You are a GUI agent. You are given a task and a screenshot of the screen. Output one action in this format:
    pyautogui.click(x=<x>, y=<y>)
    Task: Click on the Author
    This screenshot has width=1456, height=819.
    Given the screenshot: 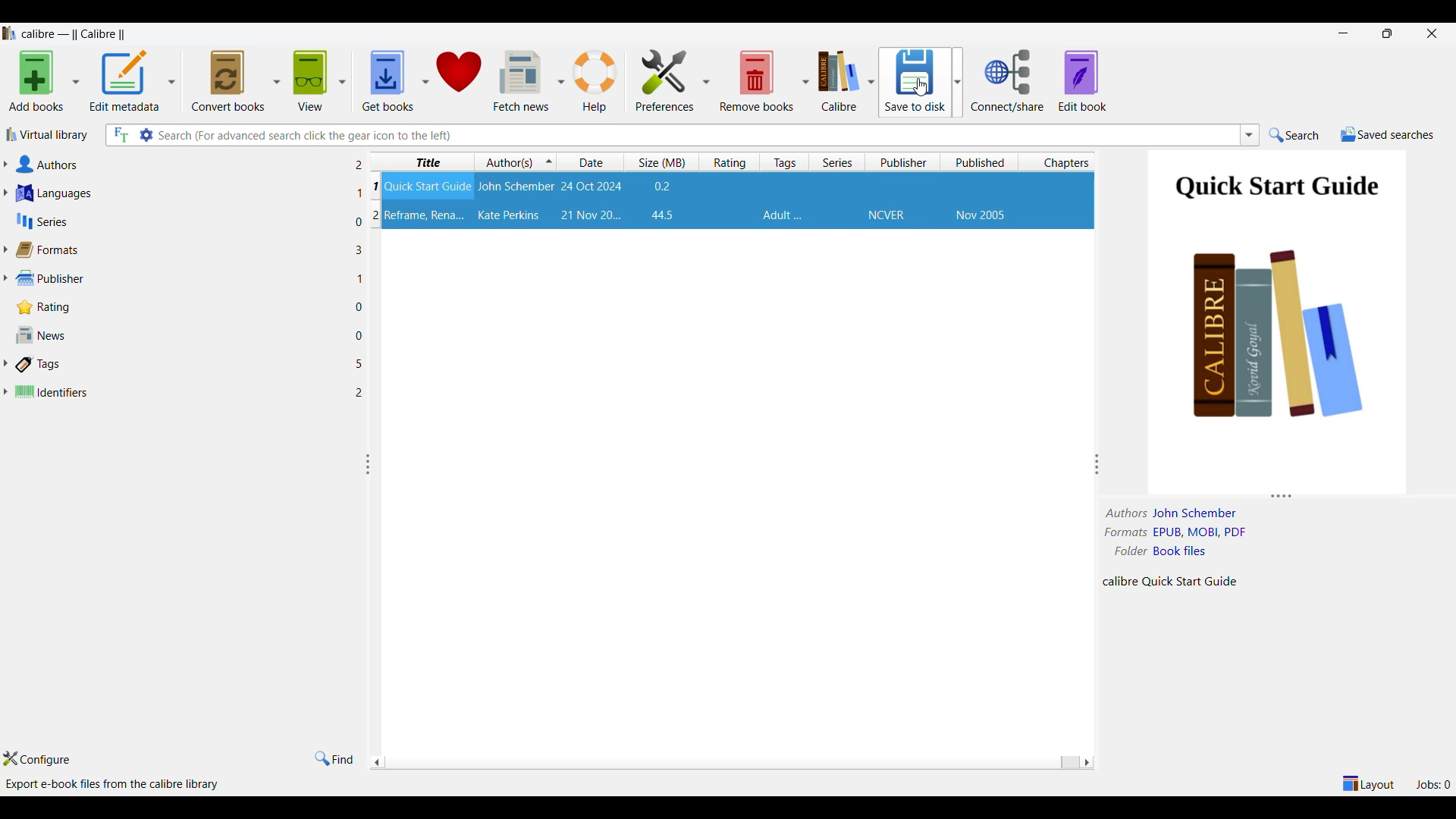 What is the action you would take?
    pyautogui.click(x=510, y=215)
    